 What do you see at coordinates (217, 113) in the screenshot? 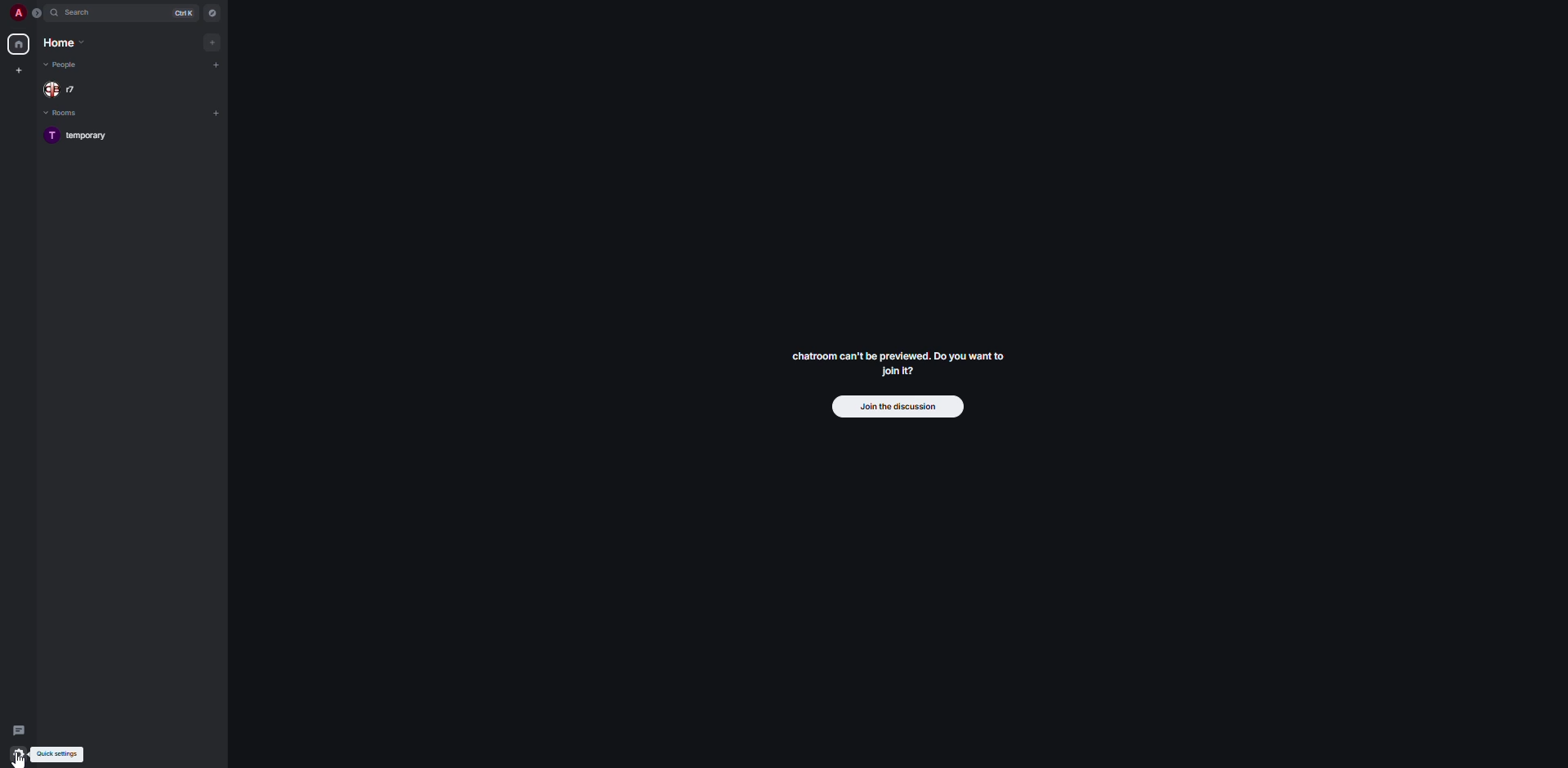
I see `add` at bounding box center [217, 113].